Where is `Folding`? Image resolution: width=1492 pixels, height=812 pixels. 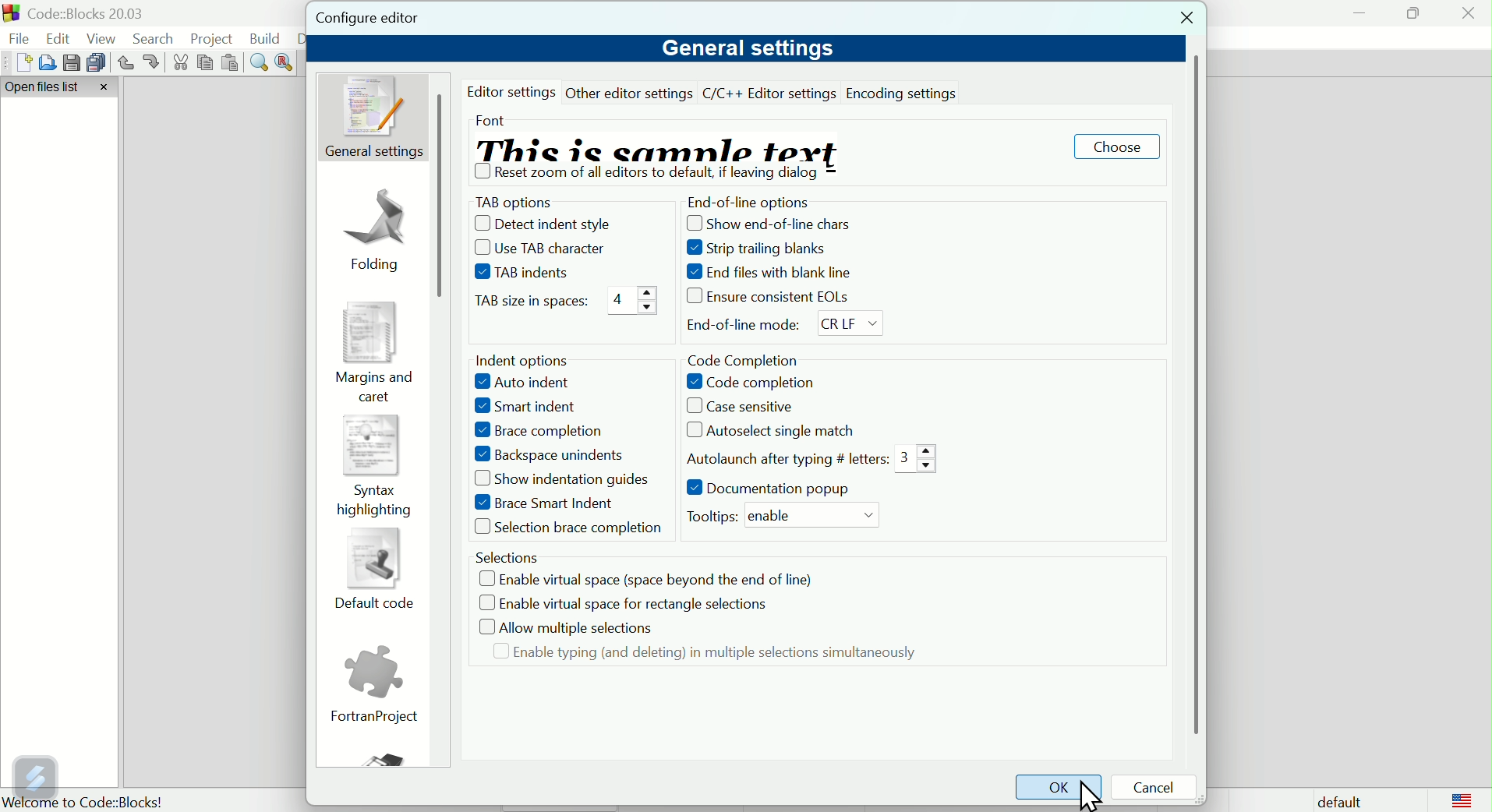
Folding is located at coordinates (377, 222).